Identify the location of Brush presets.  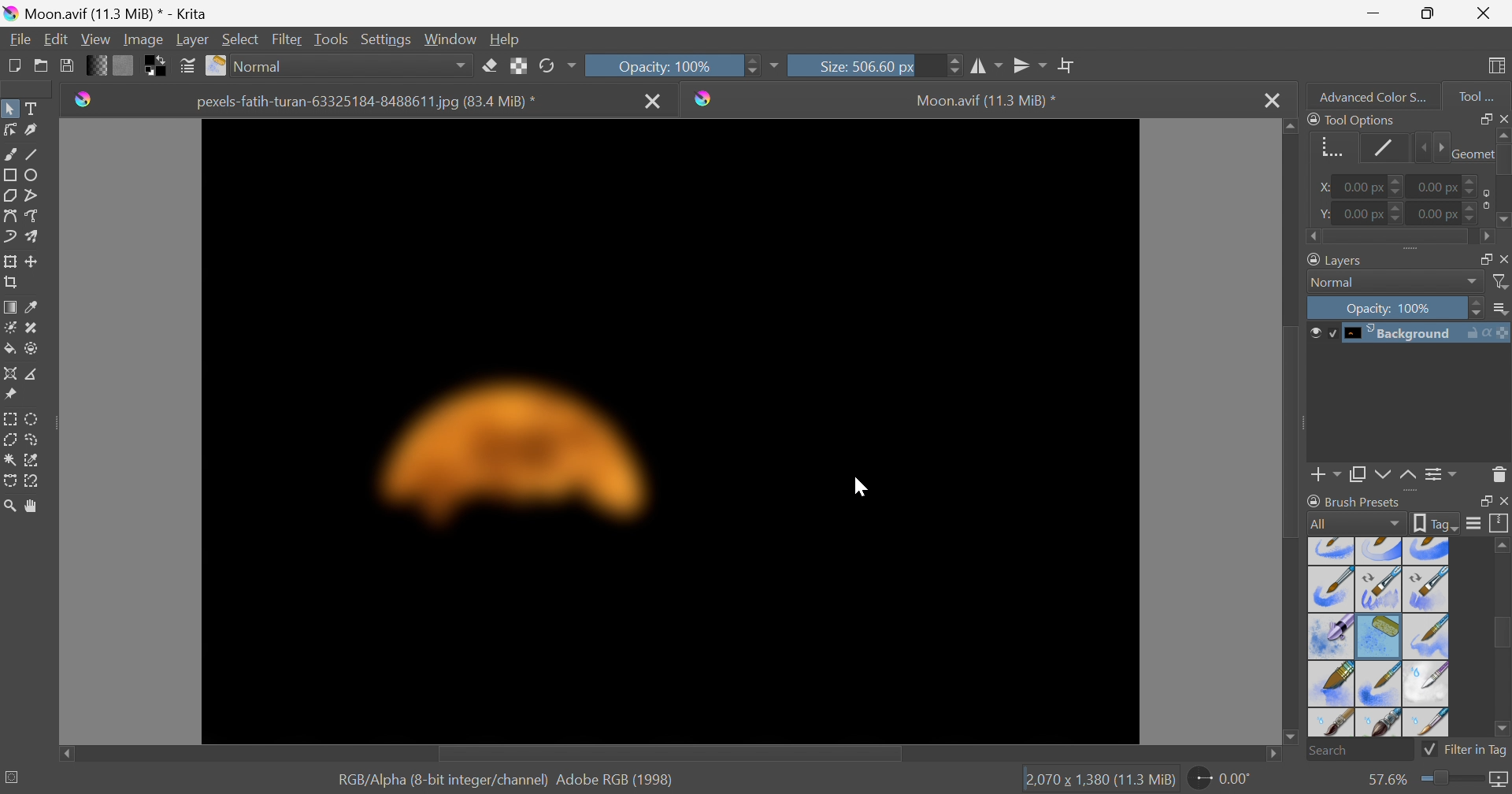
(1357, 503).